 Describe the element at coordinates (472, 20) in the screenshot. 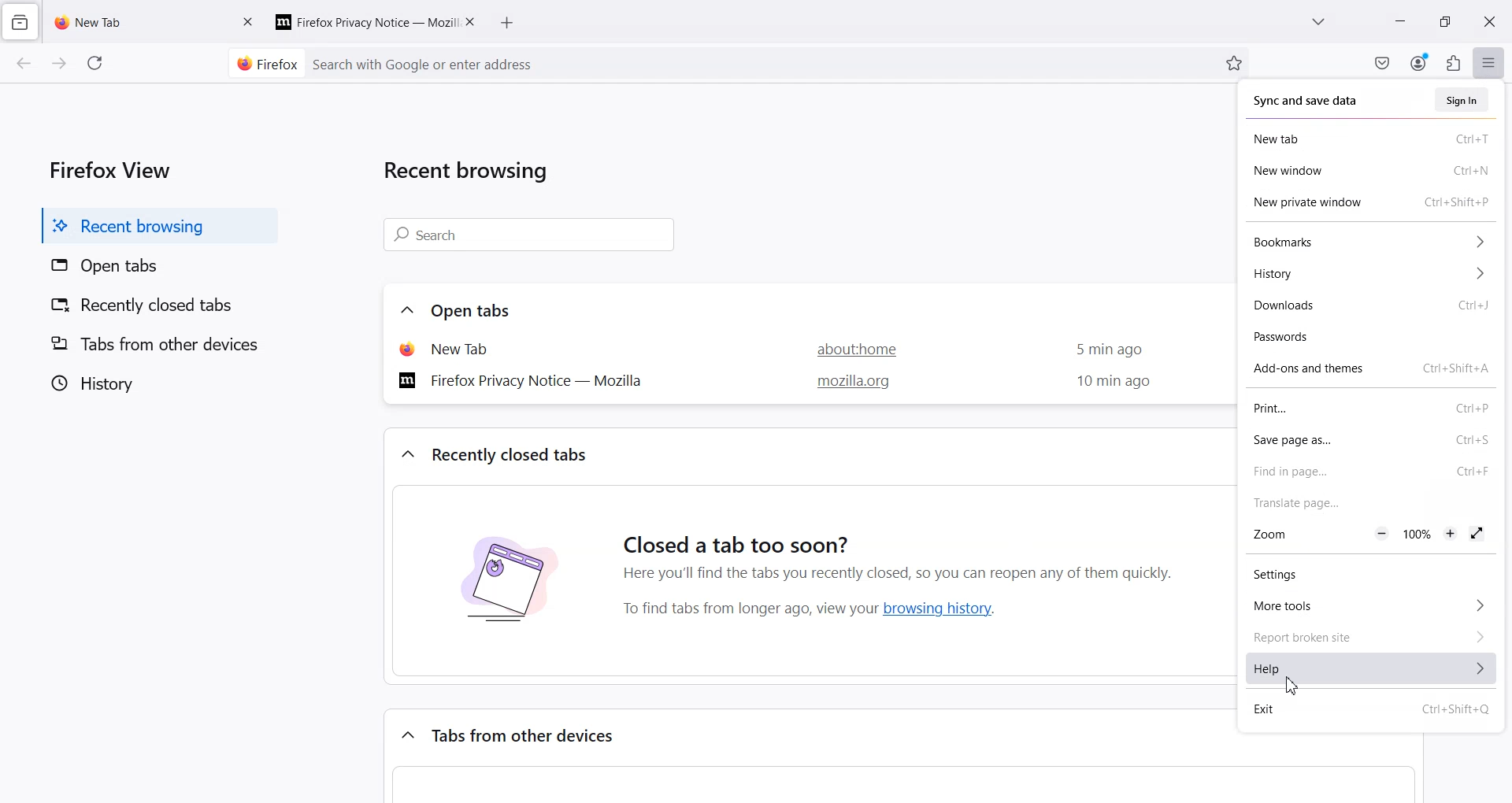

I see `Close Tab` at that location.